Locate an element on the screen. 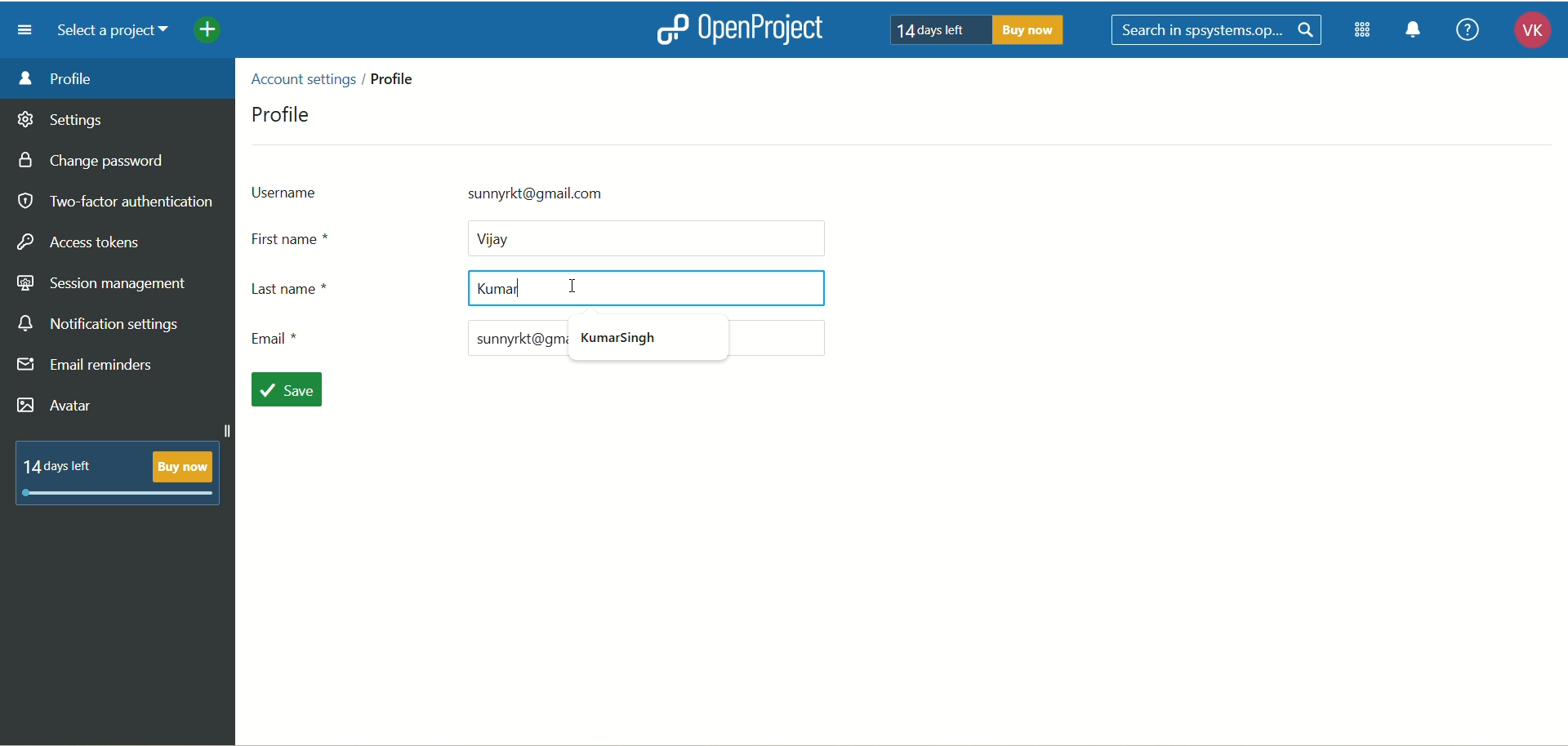 The height and width of the screenshot is (746, 1568). avatar is located at coordinates (56, 406).